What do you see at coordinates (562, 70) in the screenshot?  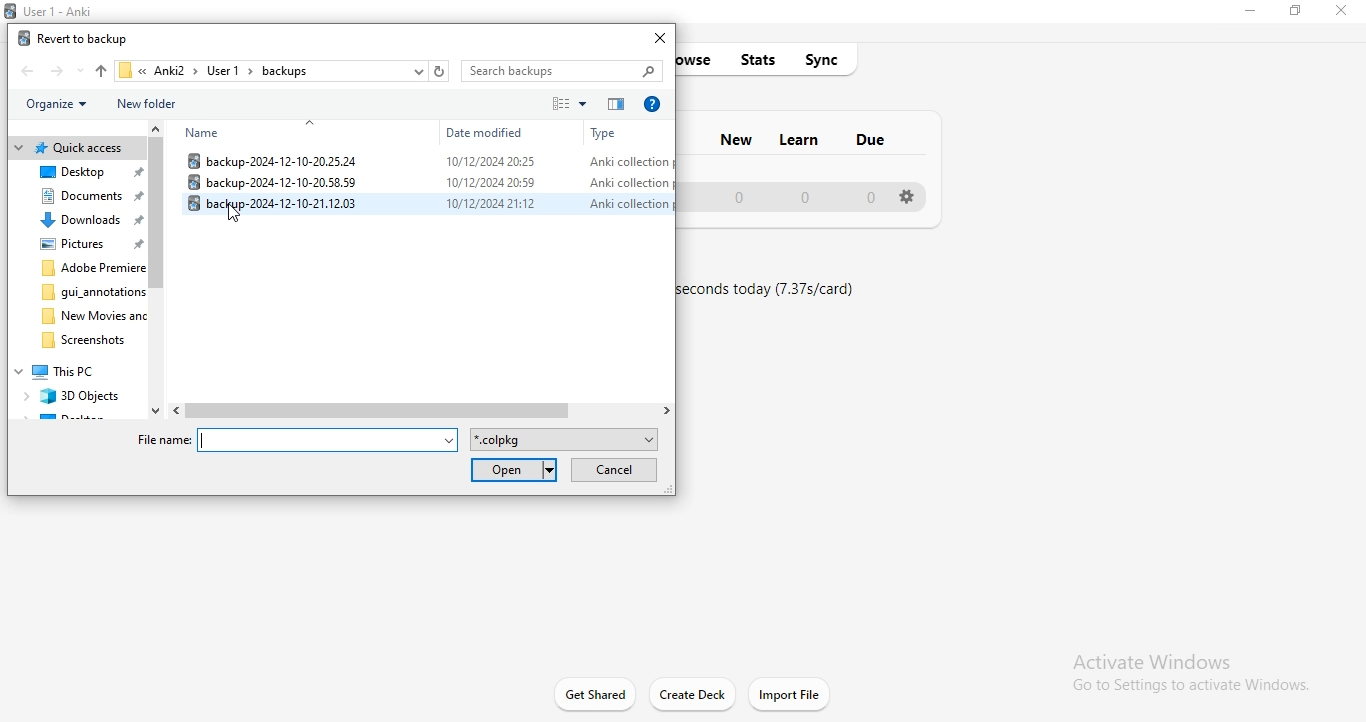 I see `search bar` at bounding box center [562, 70].